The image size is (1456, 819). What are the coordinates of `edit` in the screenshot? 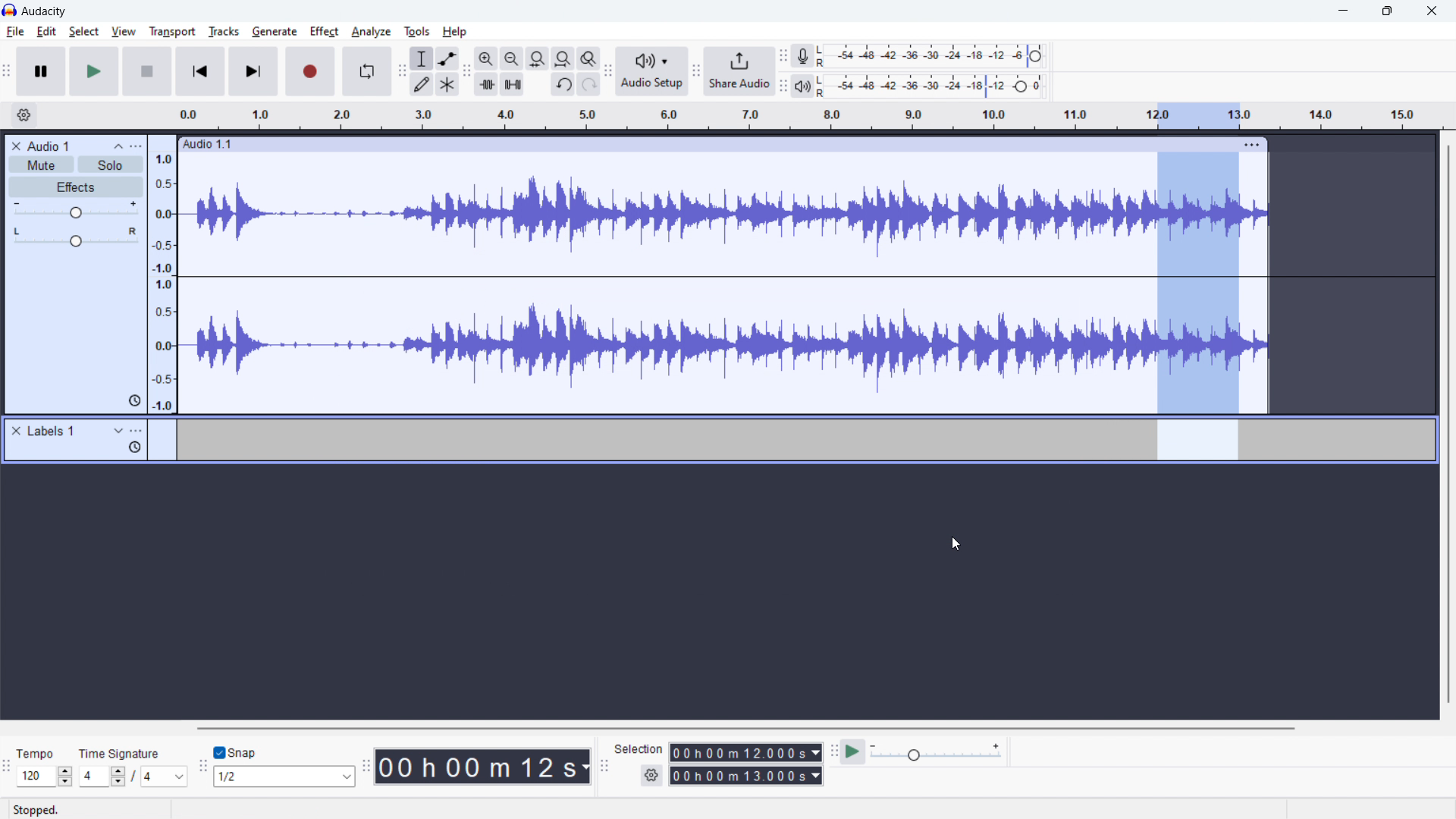 It's located at (46, 32).